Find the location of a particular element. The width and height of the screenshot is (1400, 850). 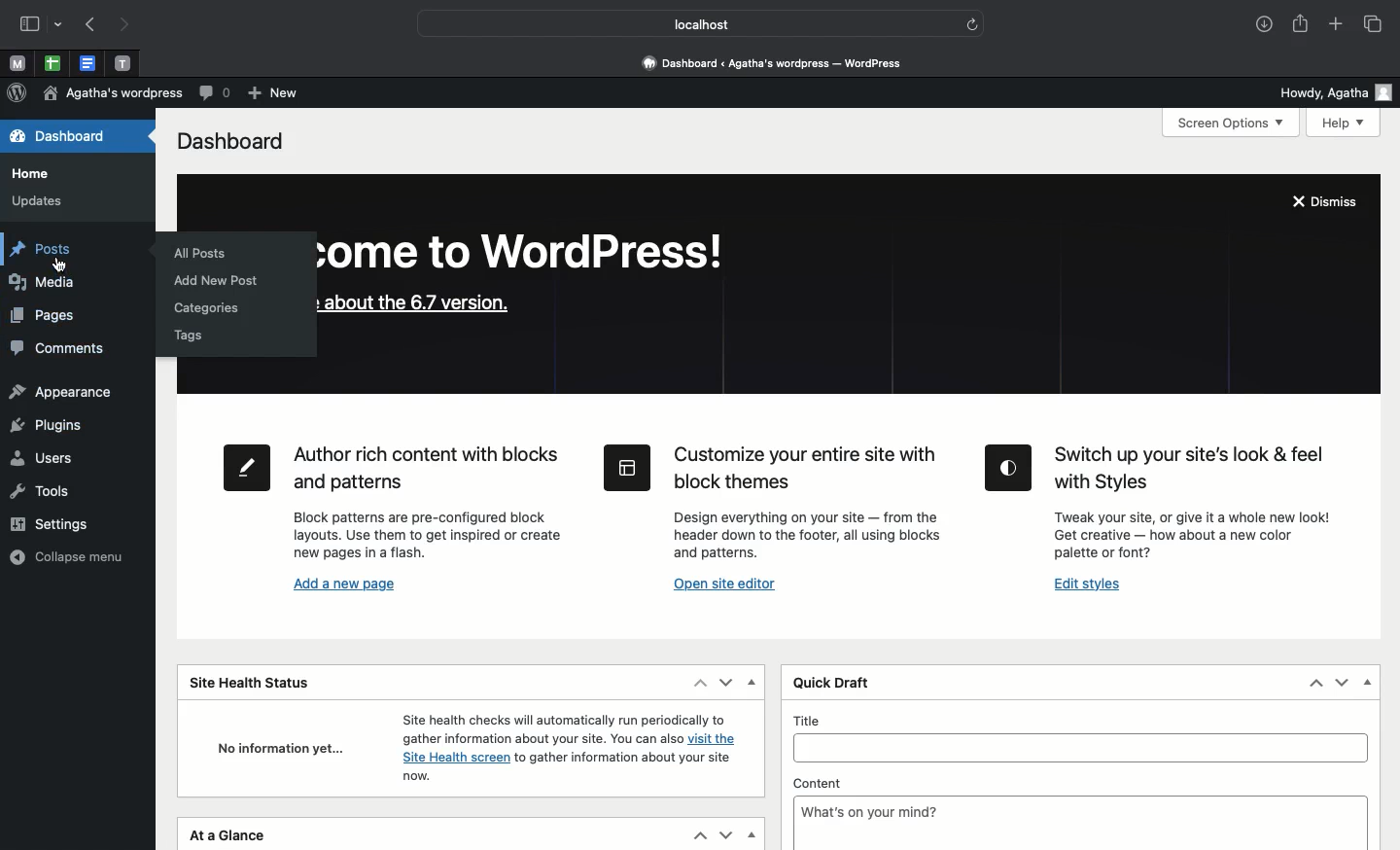

Add new tab is located at coordinates (1335, 25).